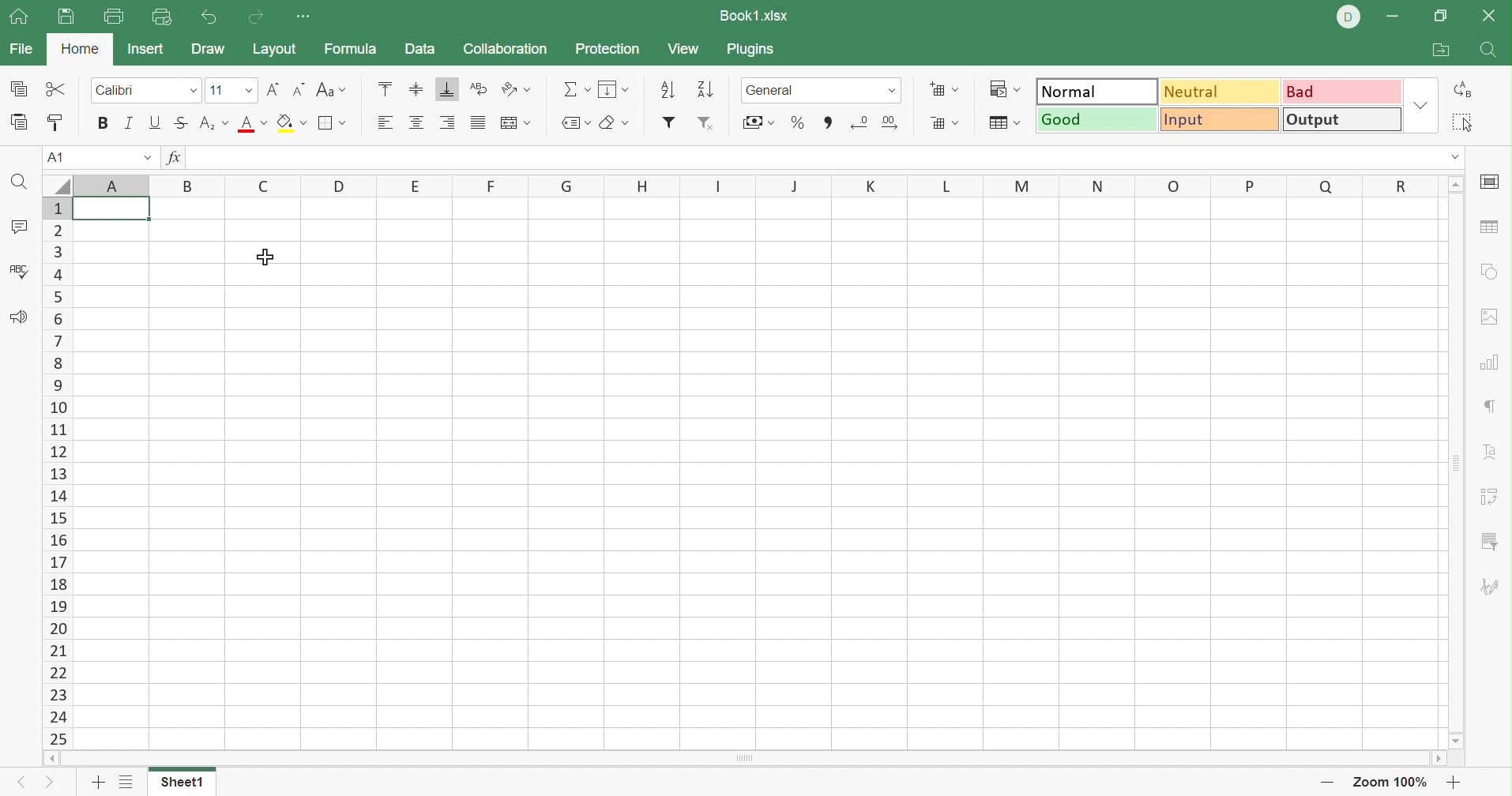  I want to click on Increment font size, so click(270, 89).